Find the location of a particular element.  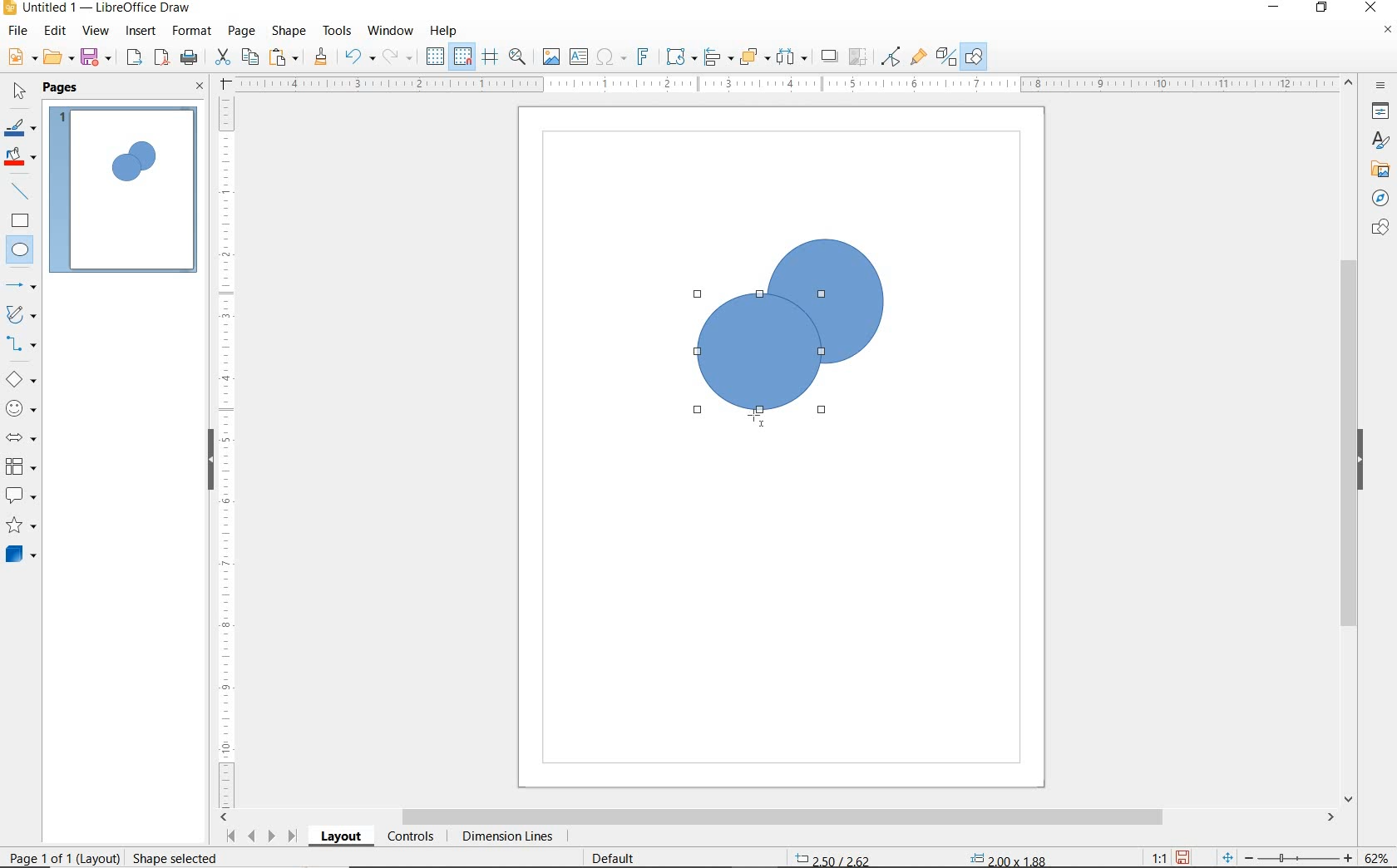

EXPORT AS PDF is located at coordinates (162, 59).